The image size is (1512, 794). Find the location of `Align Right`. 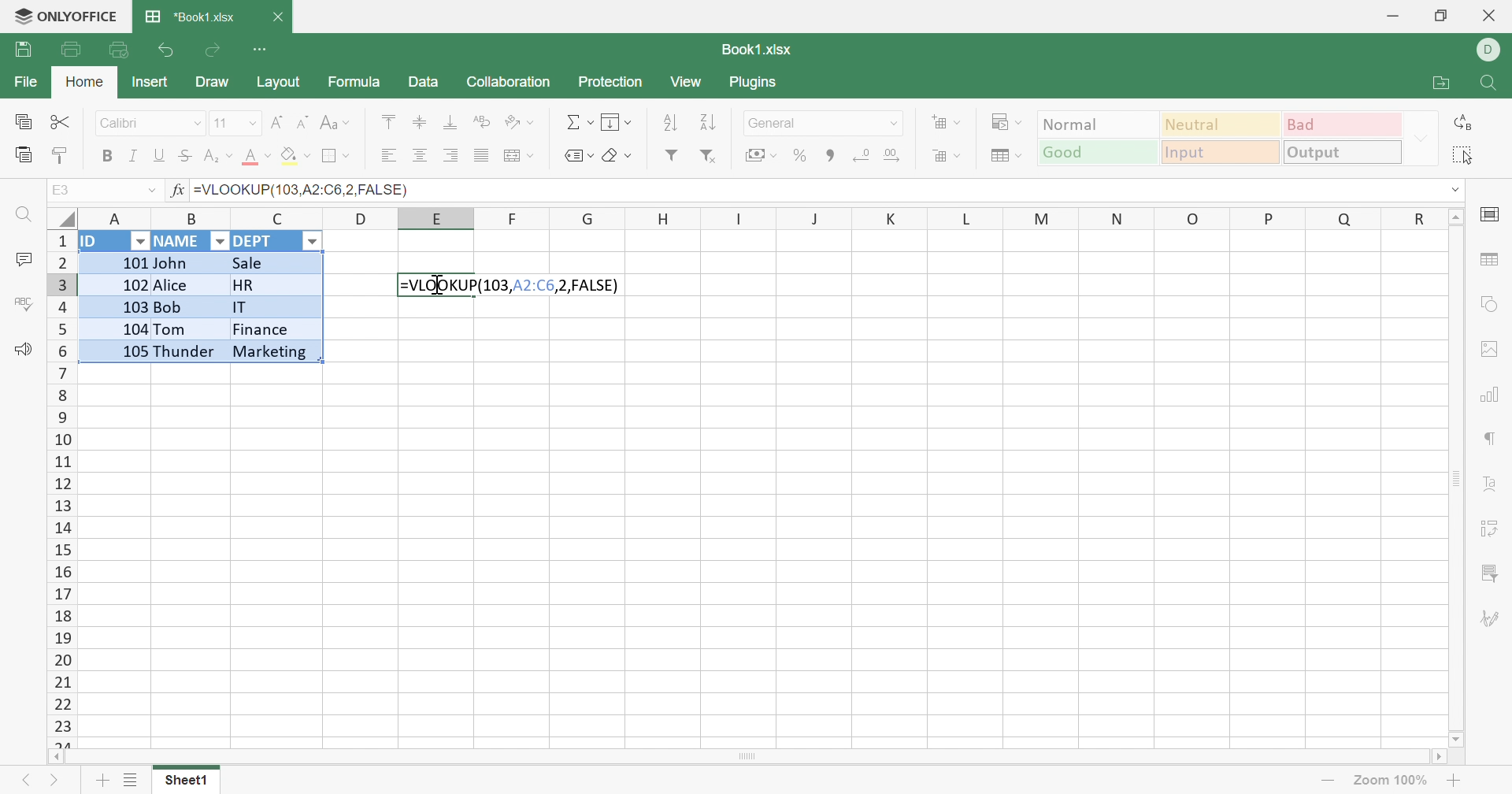

Align Right is located at coordinates (451, 155).